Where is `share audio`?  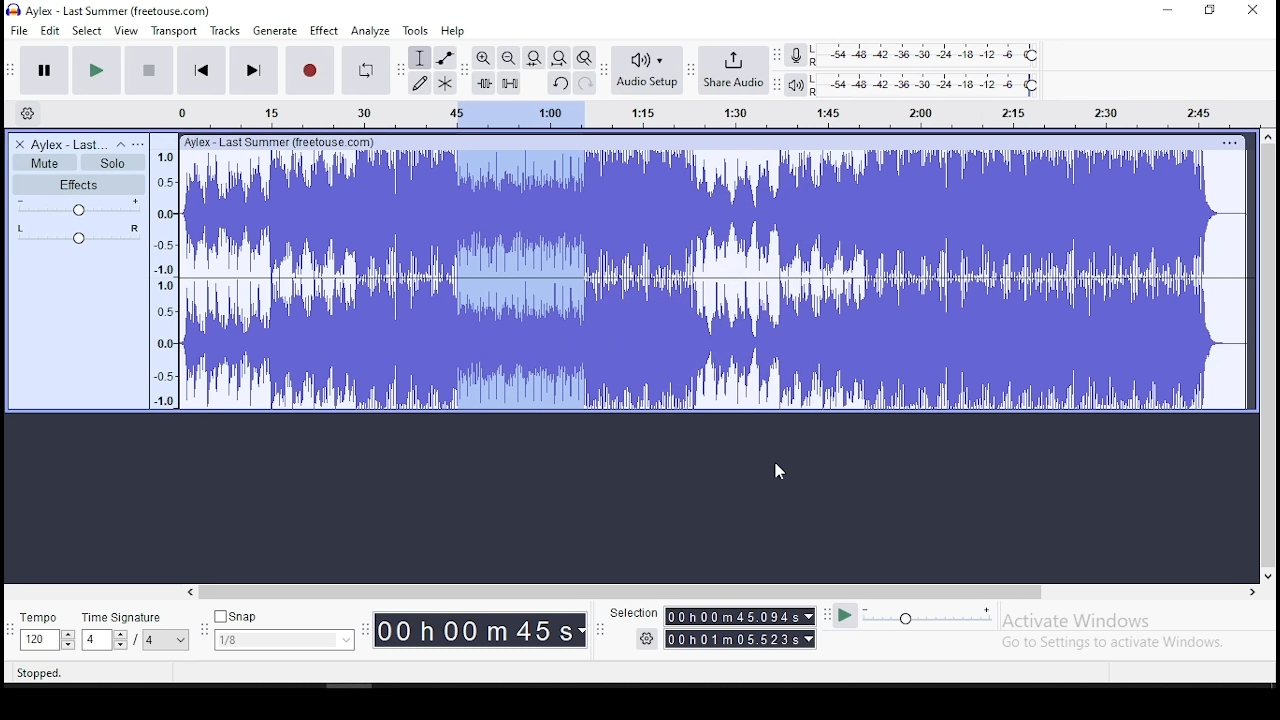
share audio is located at coordinates (736, 71).